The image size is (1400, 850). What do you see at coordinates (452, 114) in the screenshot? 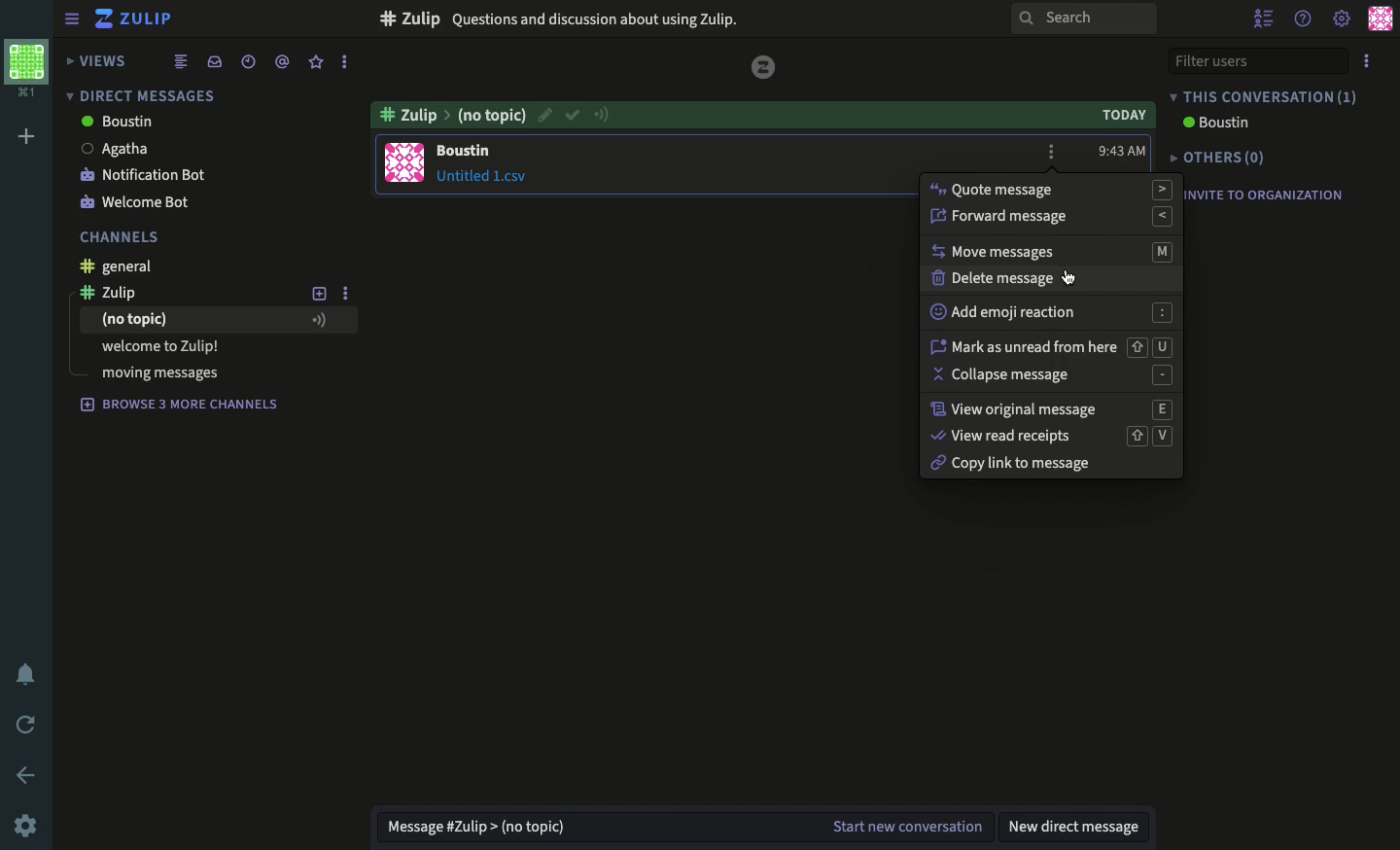
I see `zulip no topic` at bounding box center [452, 114].